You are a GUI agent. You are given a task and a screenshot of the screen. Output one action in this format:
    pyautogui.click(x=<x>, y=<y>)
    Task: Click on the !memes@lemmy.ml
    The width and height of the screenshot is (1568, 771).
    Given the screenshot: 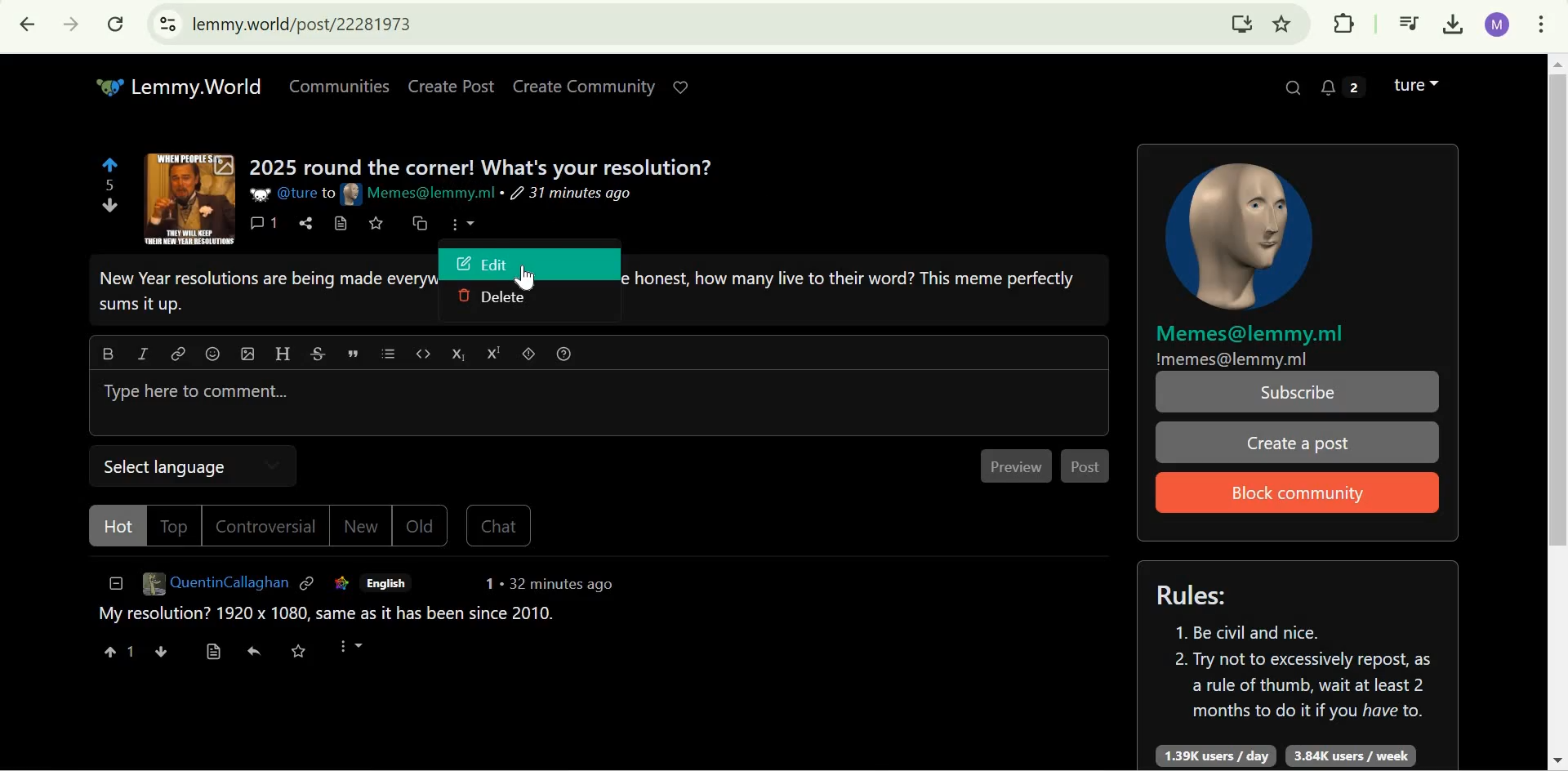 What is the action you would take?
    pyautogui.click(x=1232, y=359)
    